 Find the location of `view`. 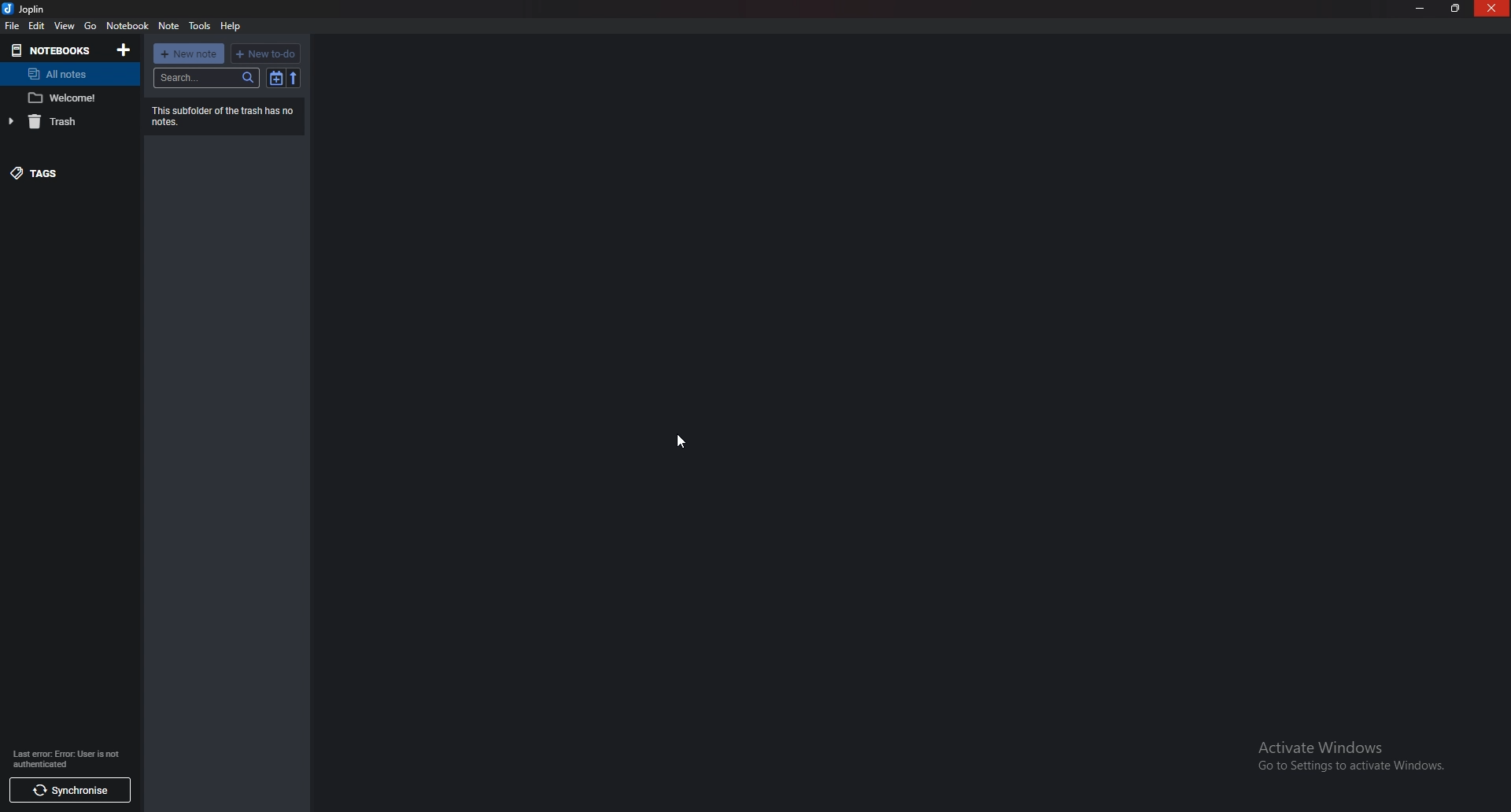

view is located at coordinates (65, 26).